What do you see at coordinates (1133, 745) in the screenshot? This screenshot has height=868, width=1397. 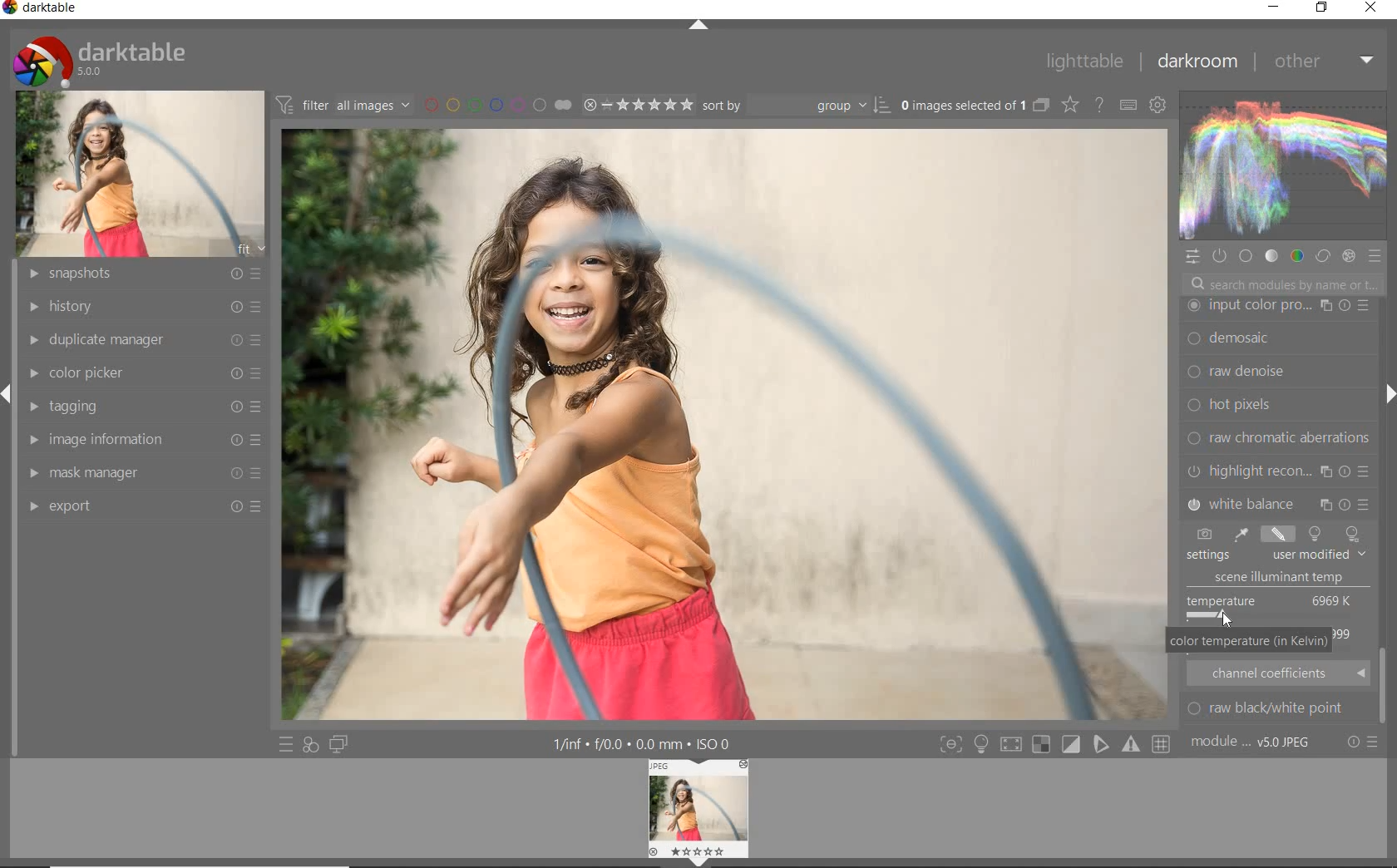 I see `toggle mode ` at bounding box center [1133, 745].